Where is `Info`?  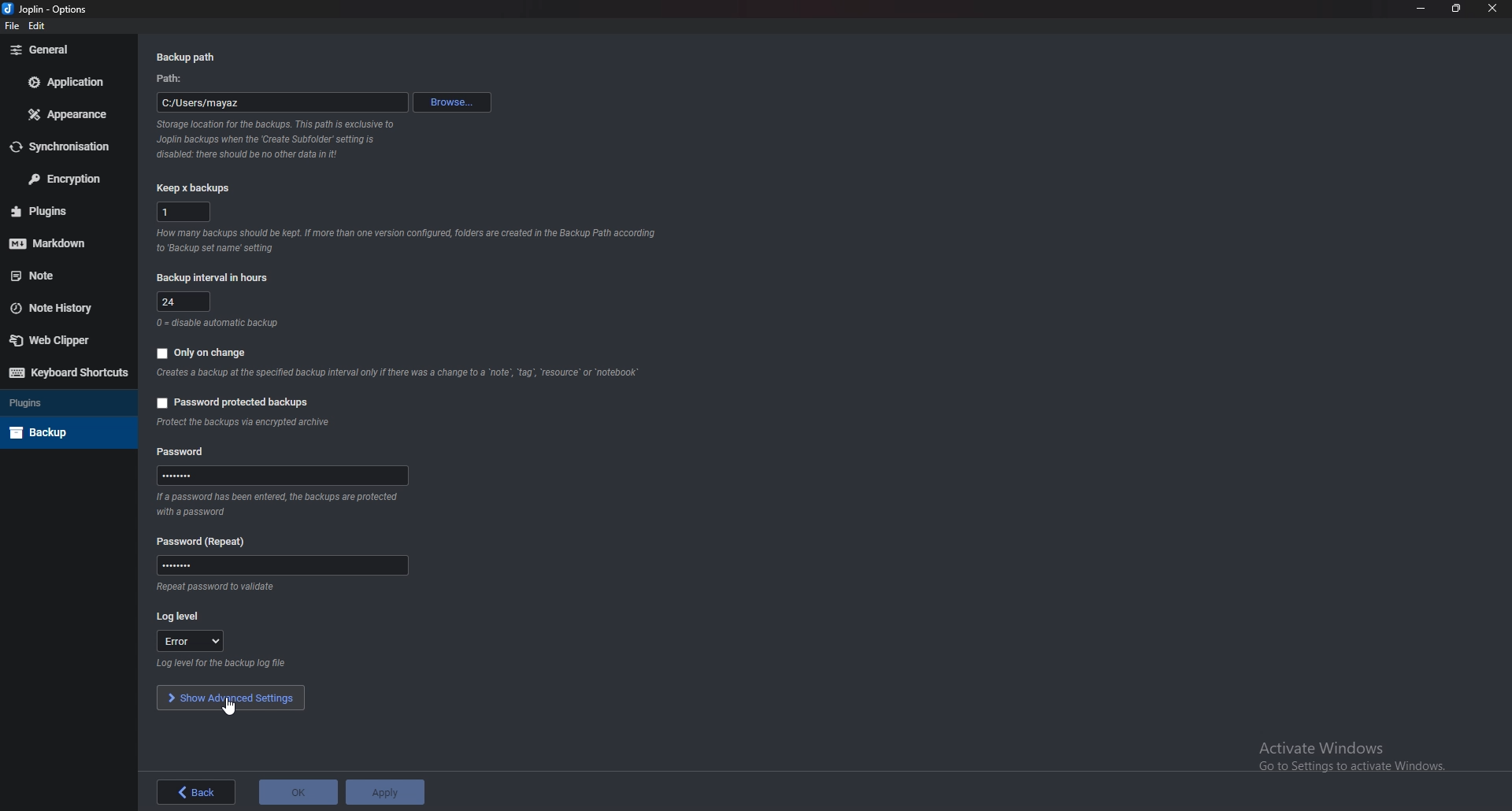
Info is located at coordinates (217, 588).